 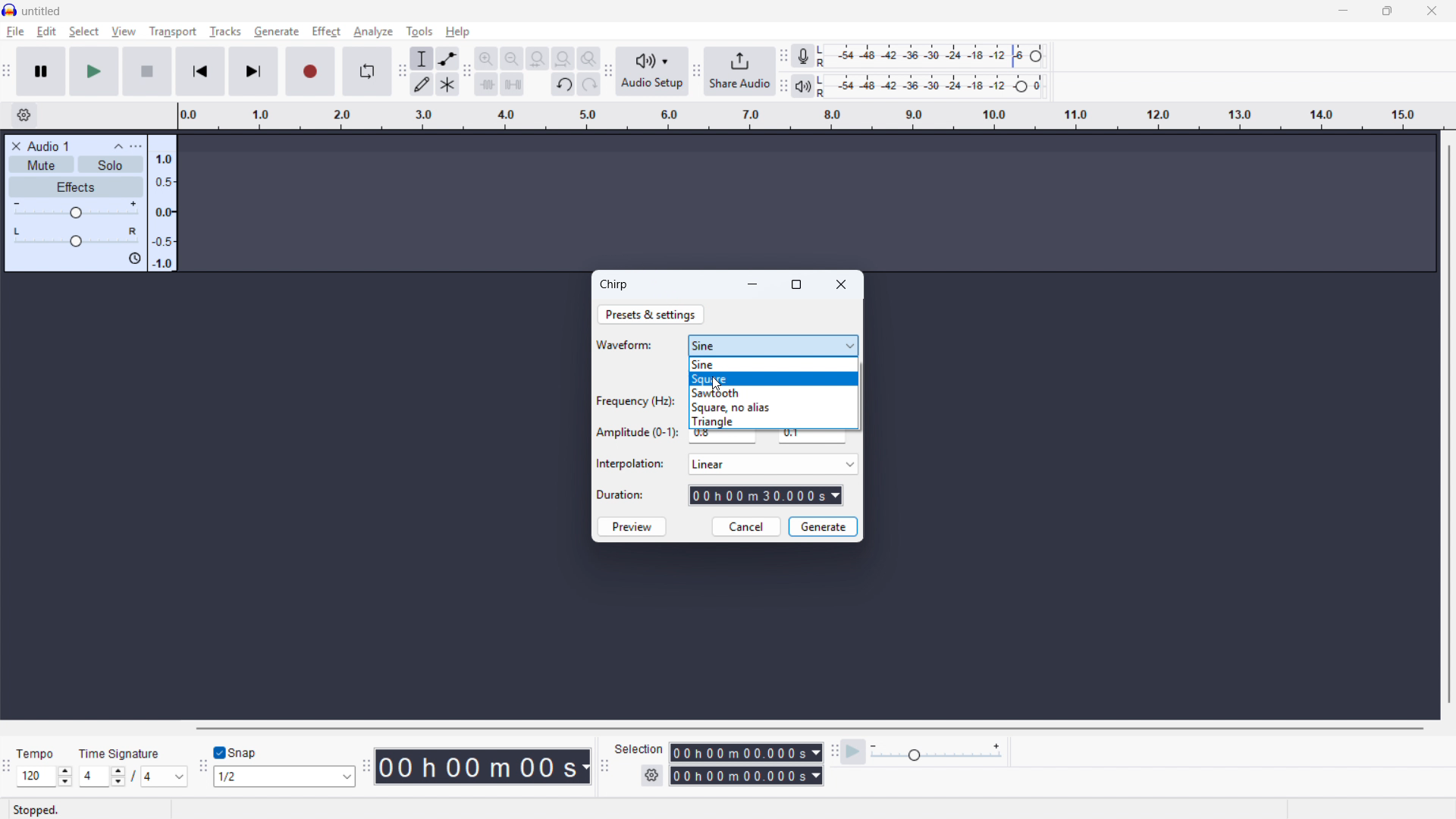 I want to click on Pause , so click(x=41, y=70).